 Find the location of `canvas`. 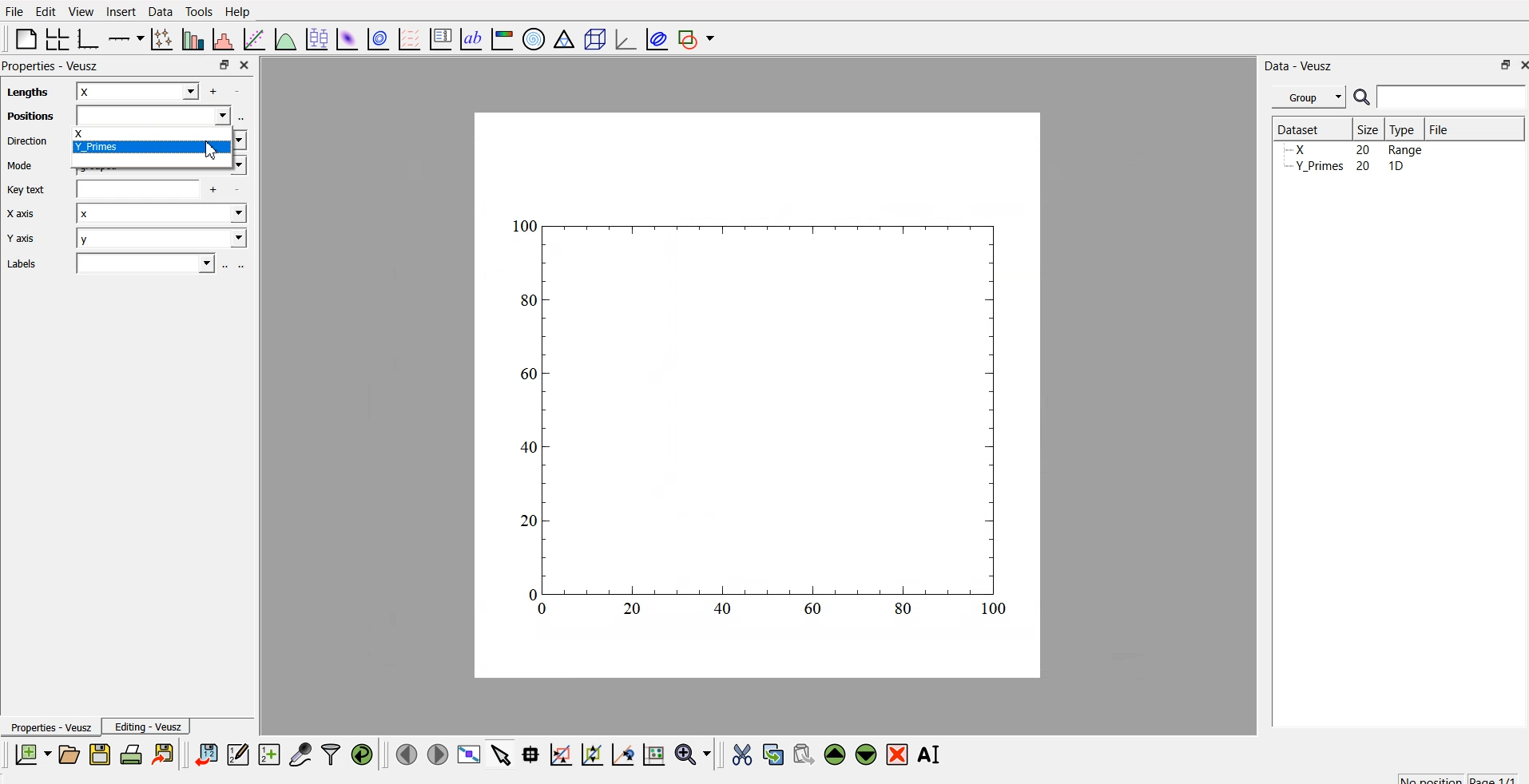

canvas is located at coordinates (757, 396).